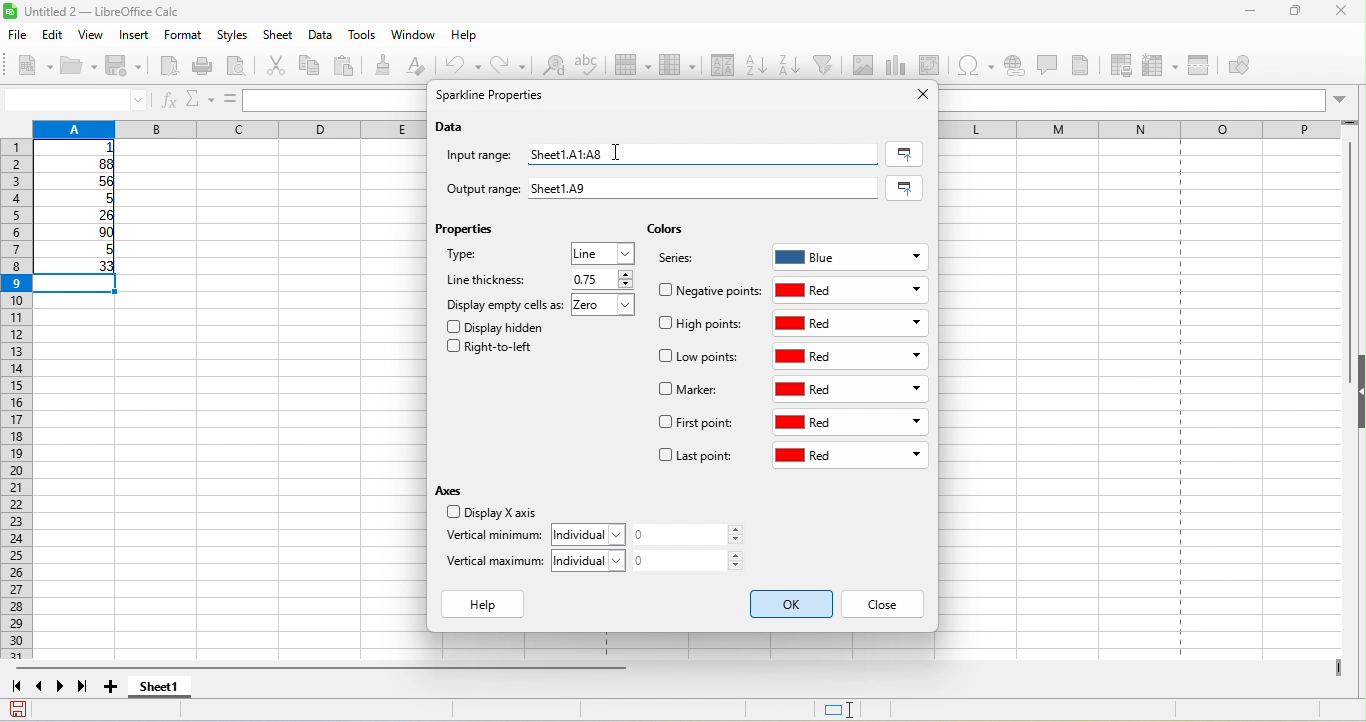 The height and width of the screenshot is (722, 1366). I want to click on scroll to last sheet, so click(88, 689).